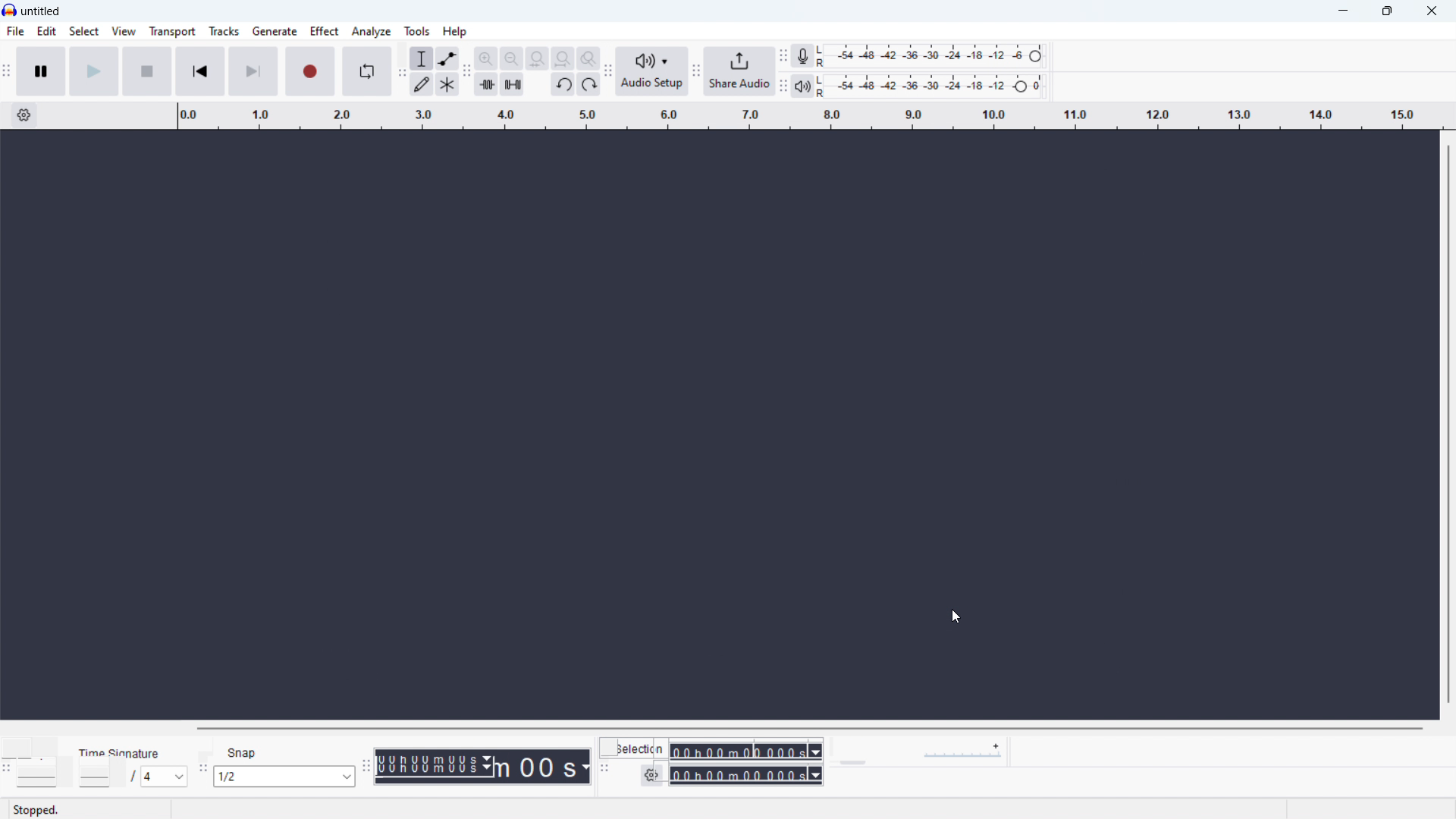  I want to click on record, so click(311, 72).